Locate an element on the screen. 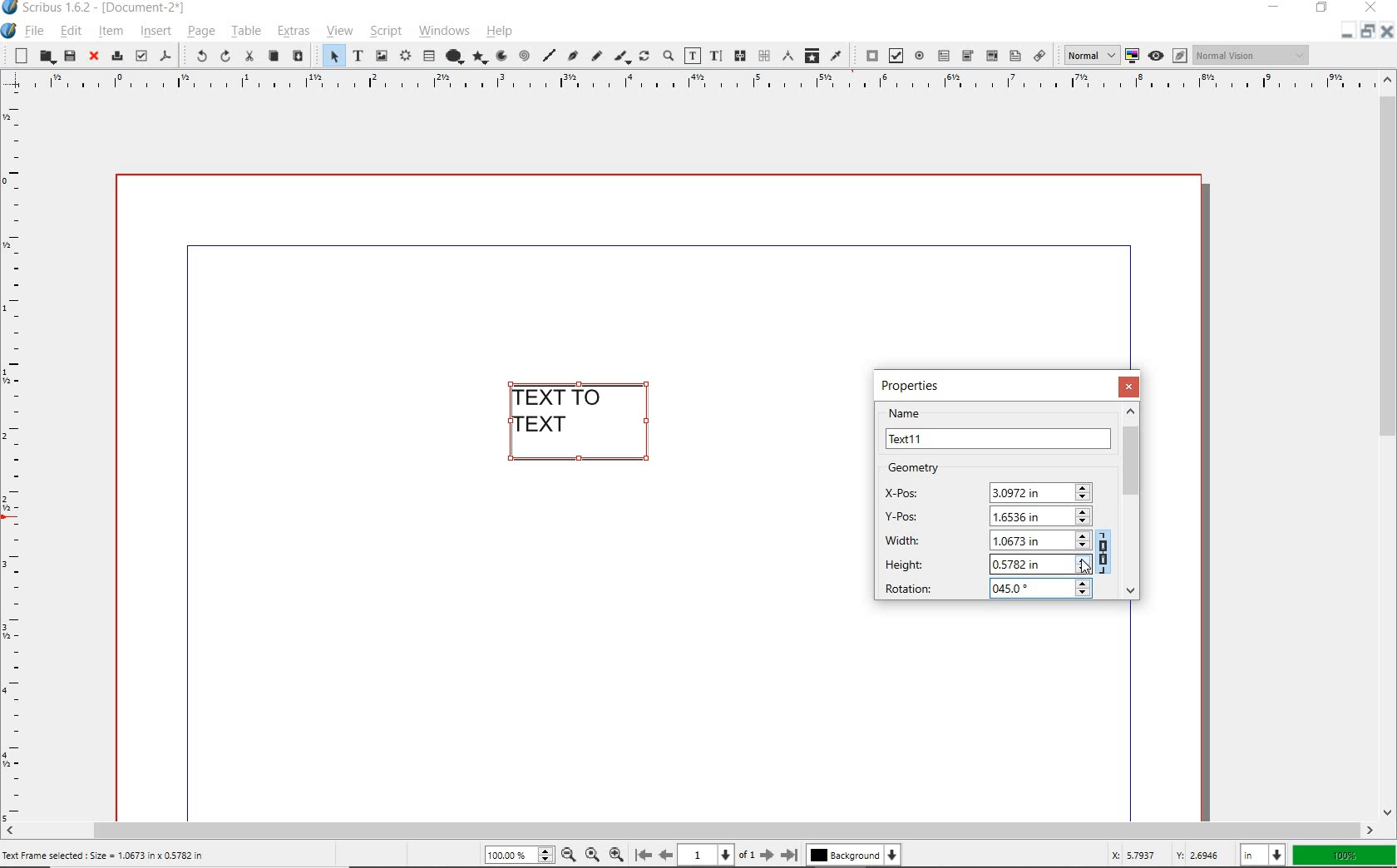  CURSOR is located at coordinates (1087, 569).